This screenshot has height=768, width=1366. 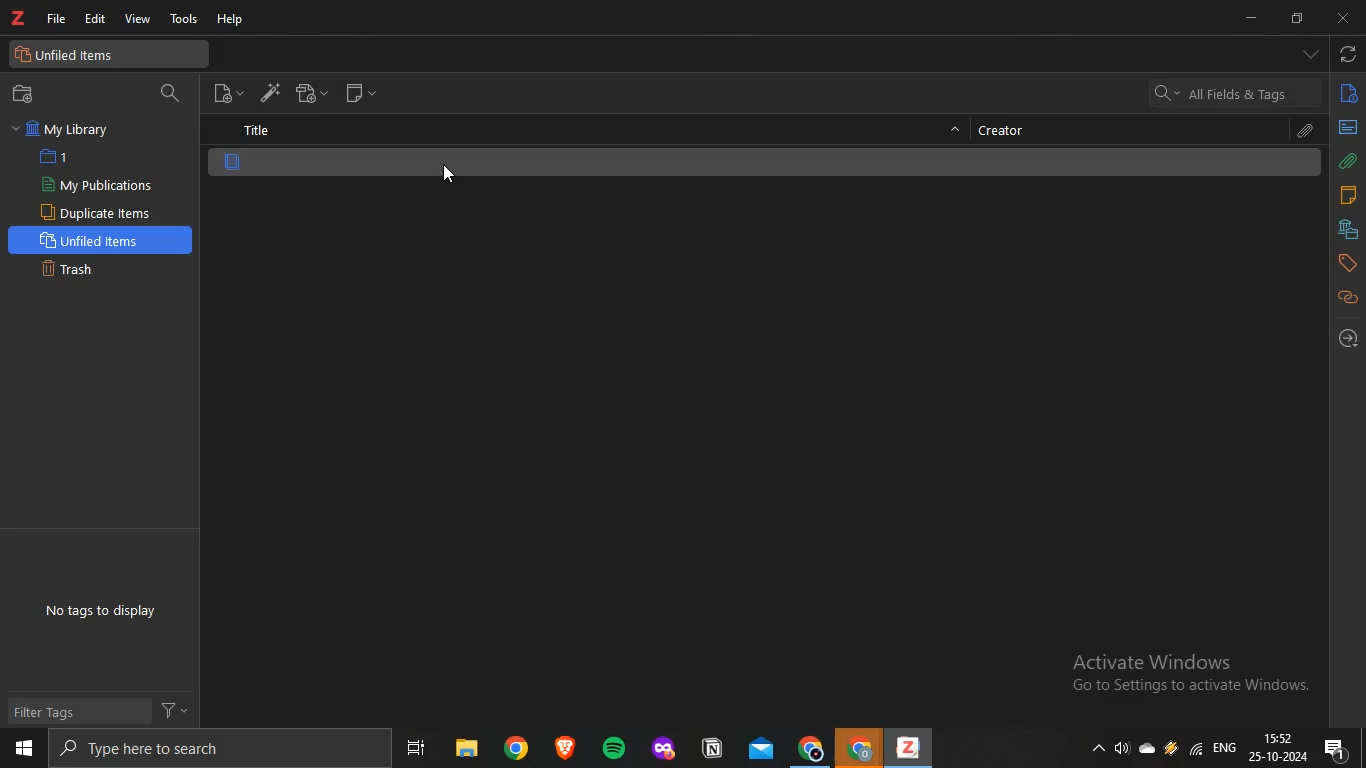 What do you see at coordinates (1341, 19) in the screenshot?
I see `close` at bounding box center [1341, 19].